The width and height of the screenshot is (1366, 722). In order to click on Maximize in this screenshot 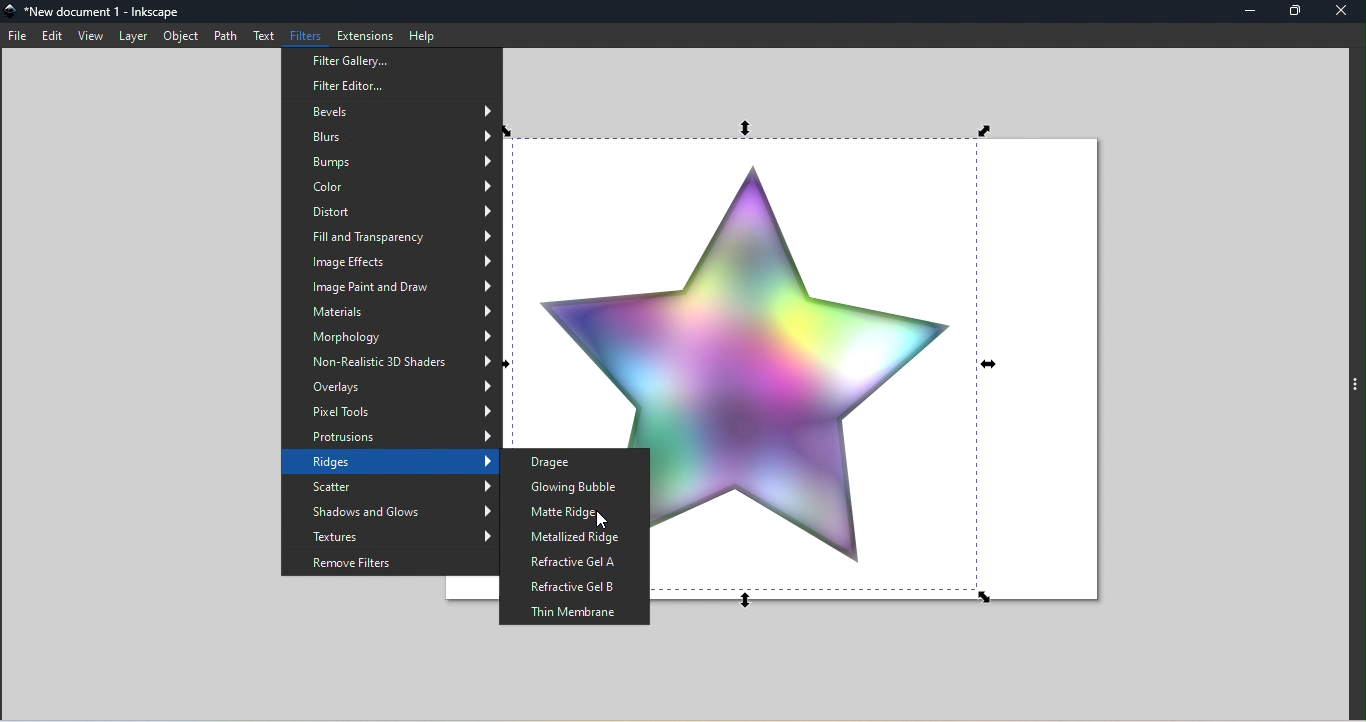, I will do `click(1300, 11)`.